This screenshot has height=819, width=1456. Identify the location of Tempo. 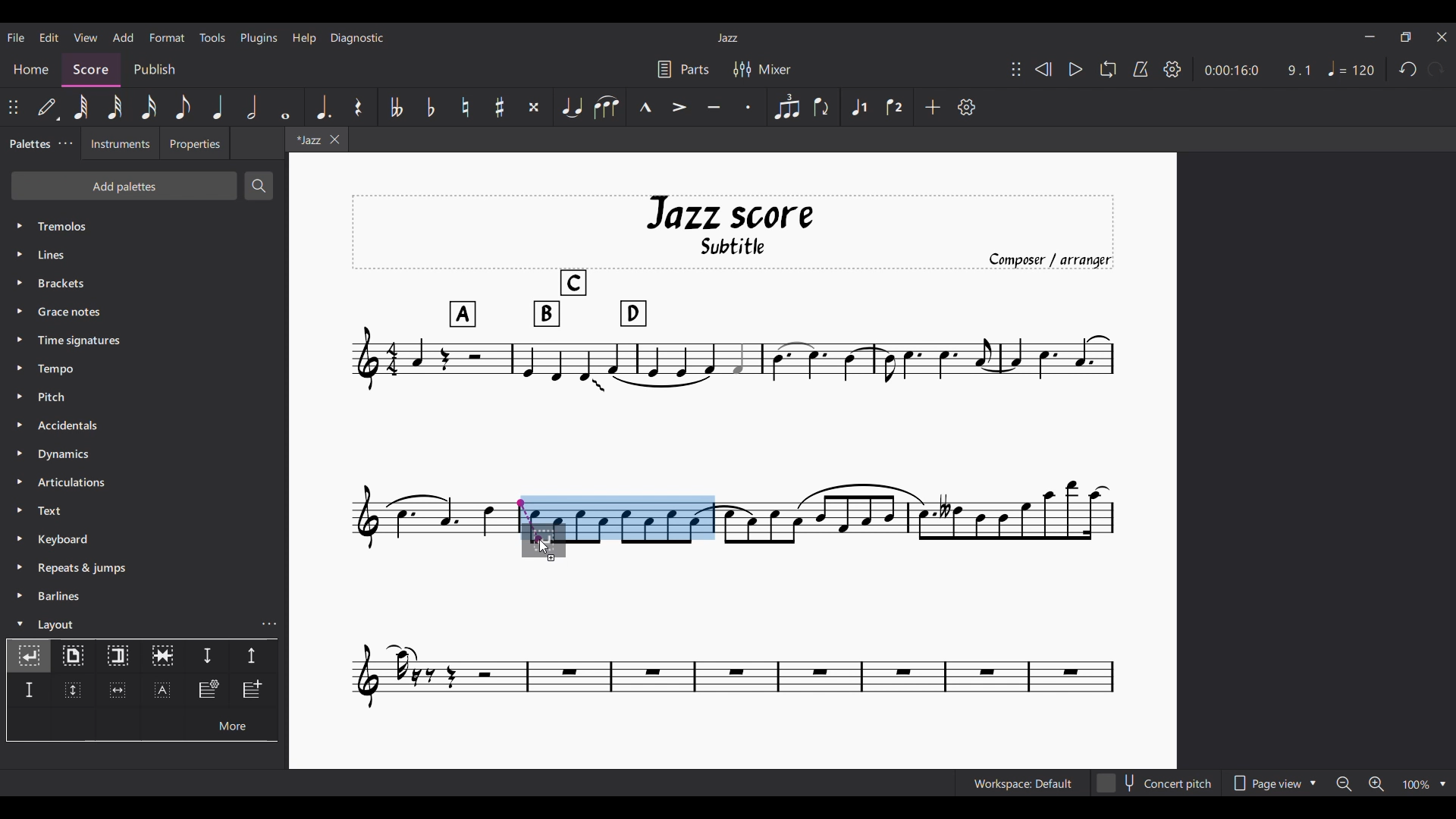
(1351, 68).